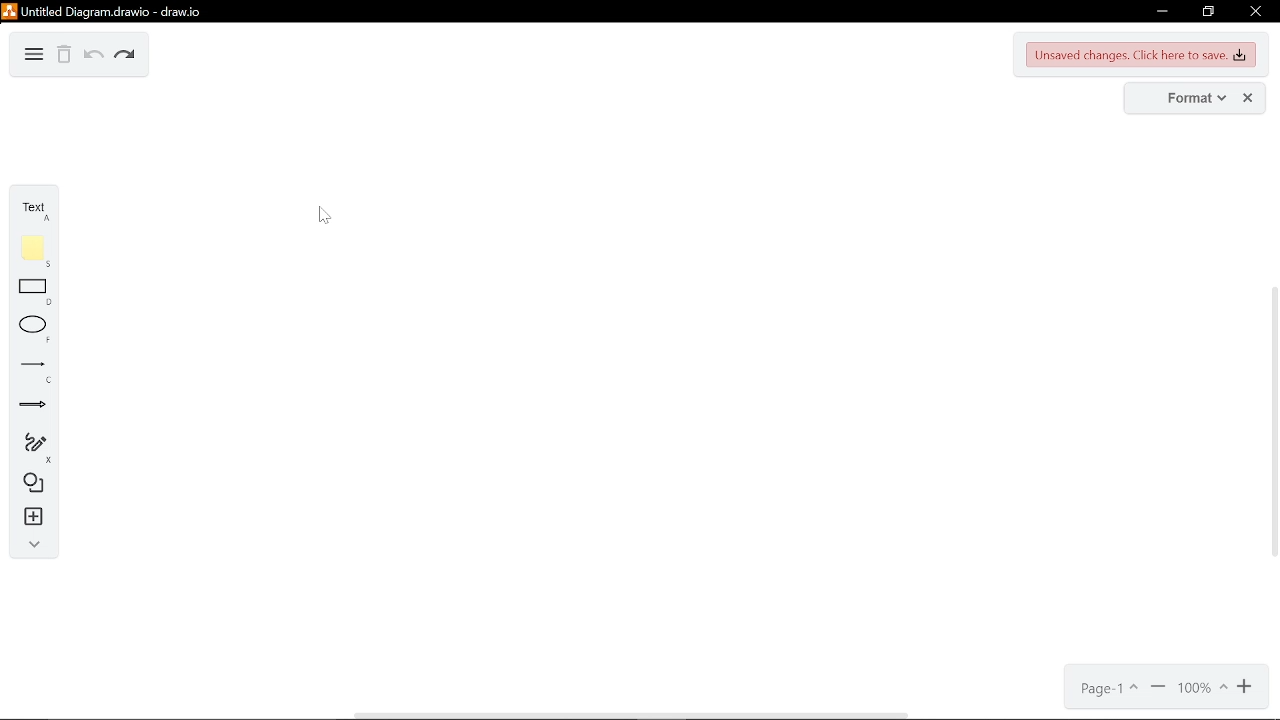 Image resolution: width=1280 pixels, height=720 pixels. What do you see at coordinates (1208, 12) in the screenshot?
I see `restore down` at bounding box center [1208, 12].